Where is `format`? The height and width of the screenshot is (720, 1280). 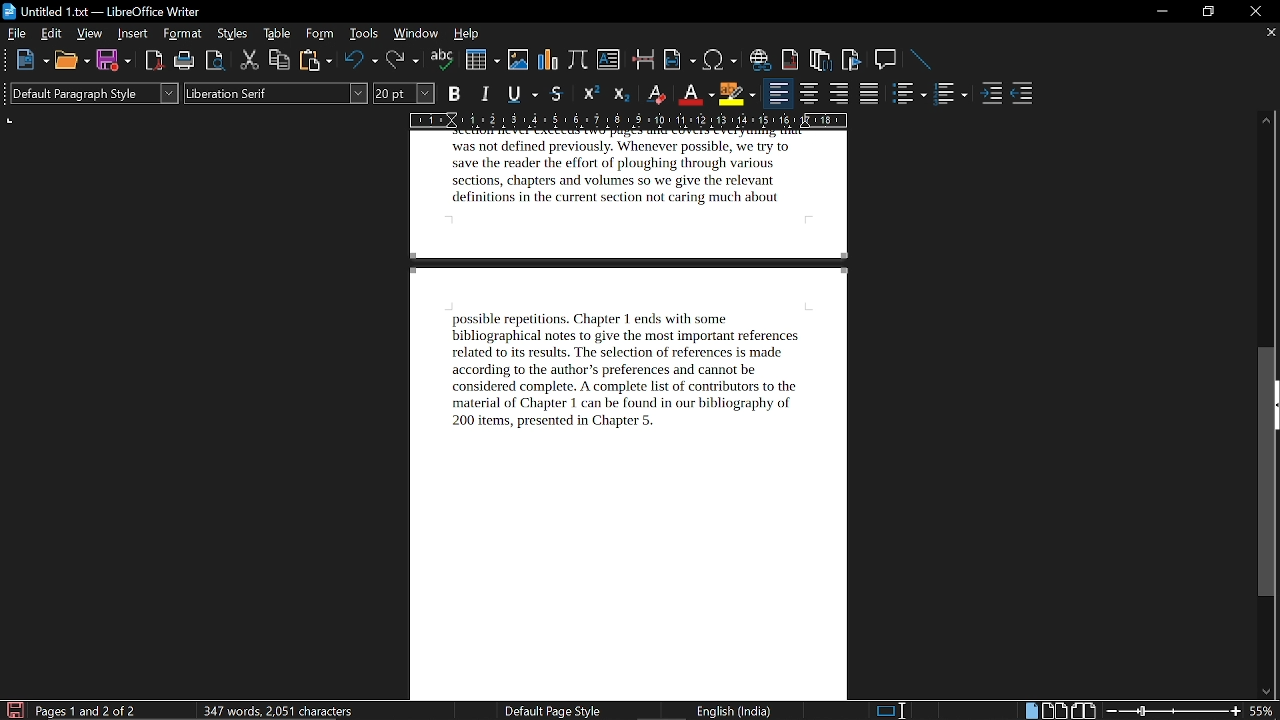 format is located at coordinates (183, 34).